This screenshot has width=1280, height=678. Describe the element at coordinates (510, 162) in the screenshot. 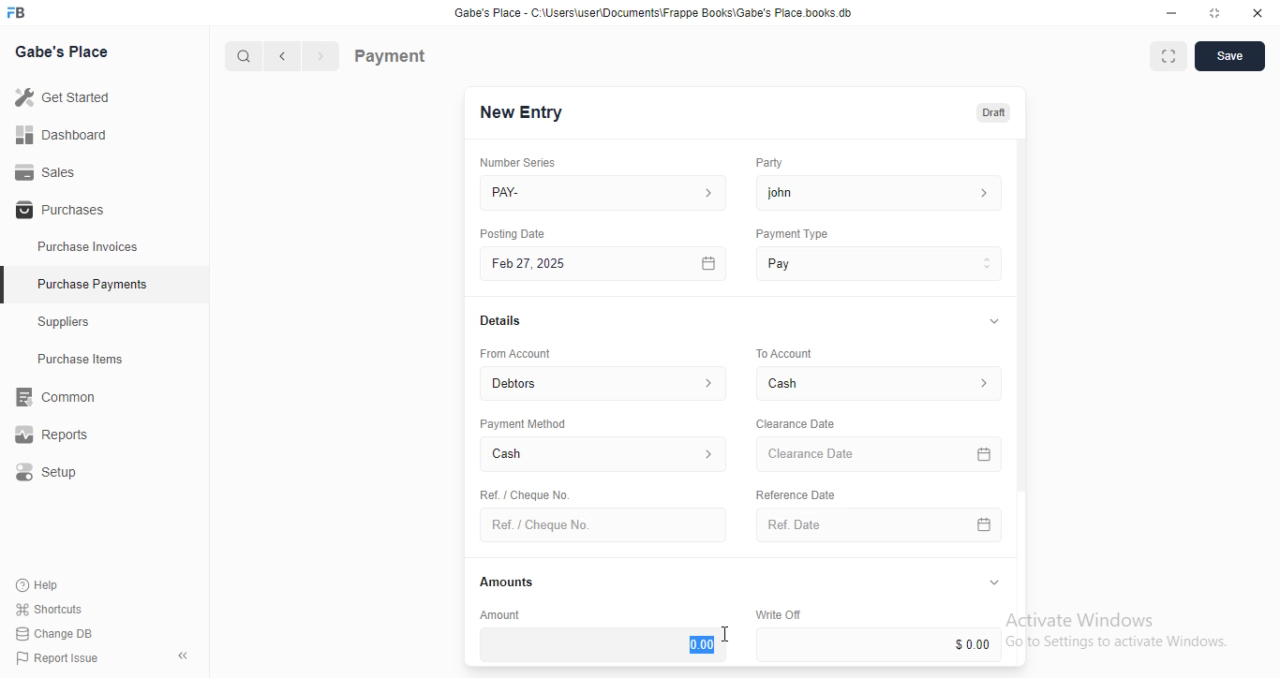

I see `Number Series` at that location.